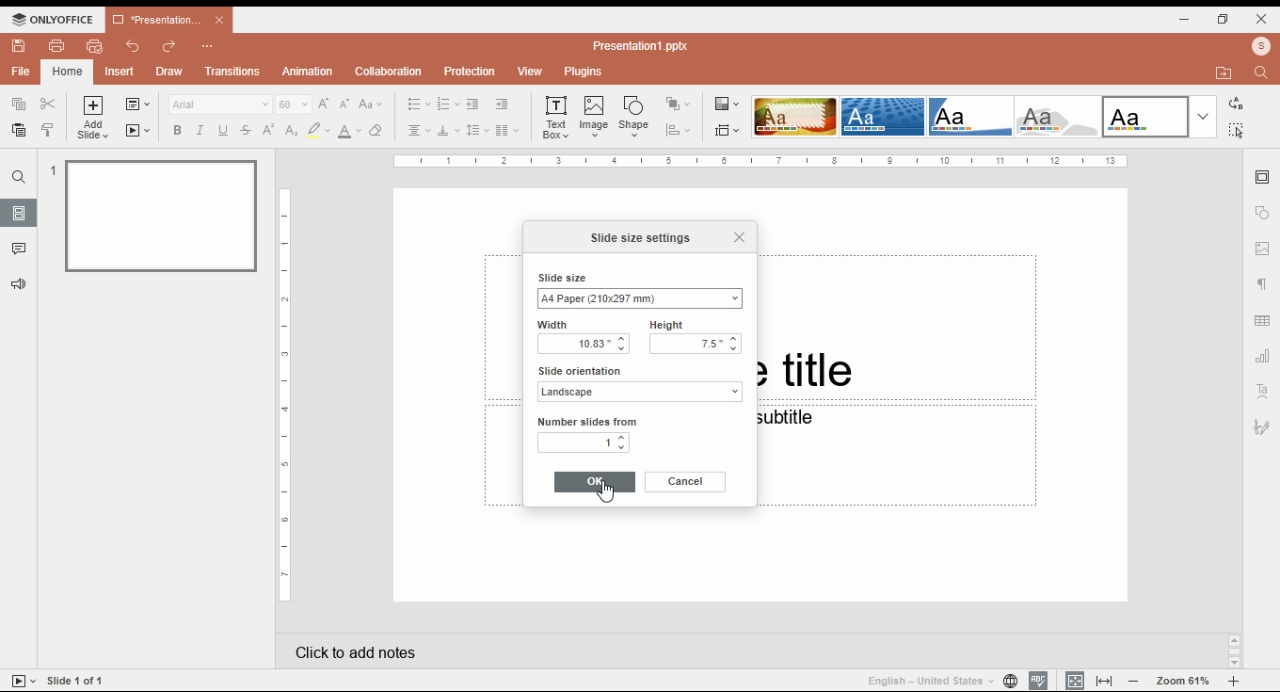  What do you see at coordinates (351, 131) in the screenshot?
I see `font color` at bounding box center [351, 131].